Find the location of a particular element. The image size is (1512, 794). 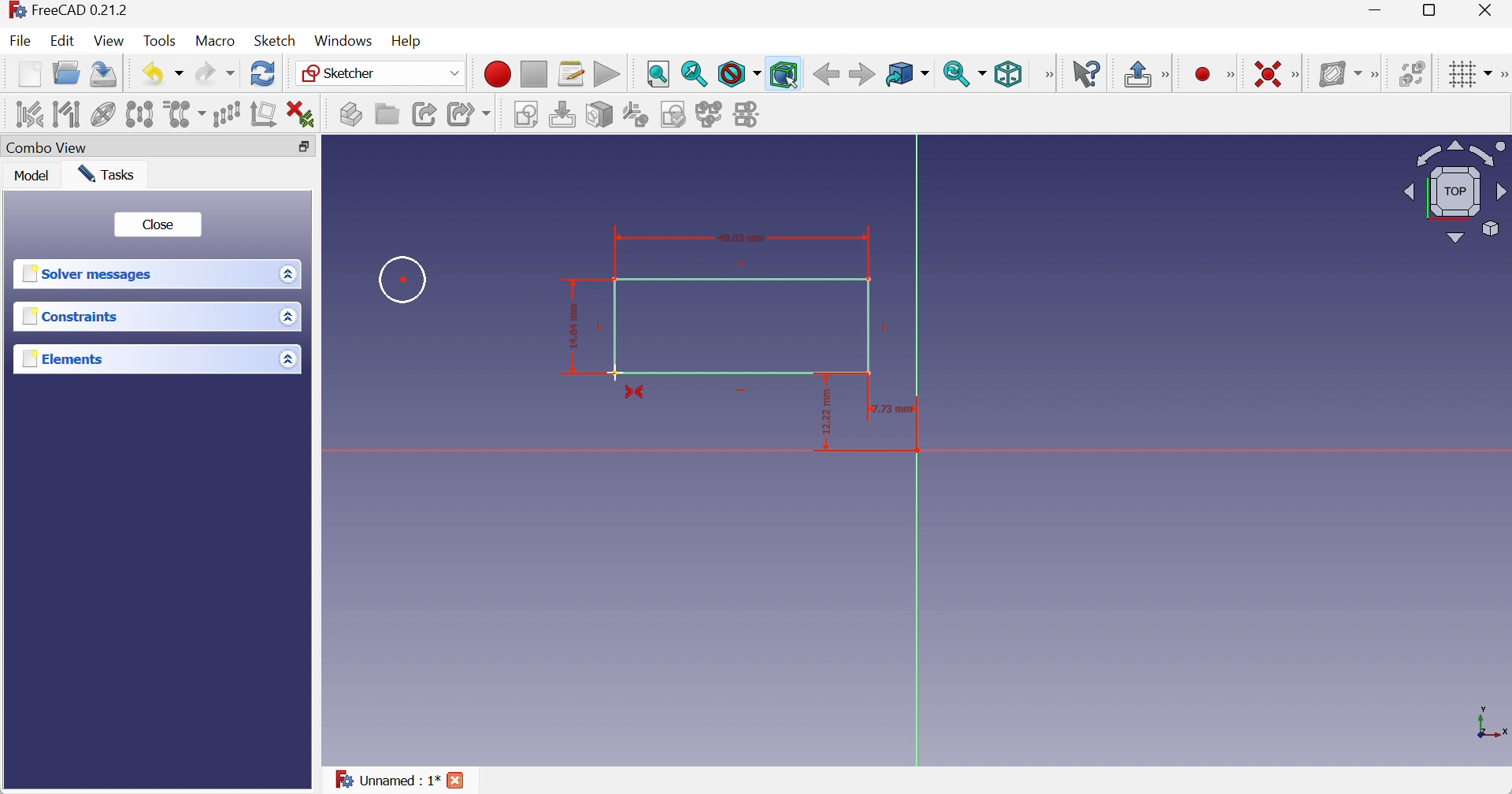

Edit sketch is located at coordinates (565, 115).